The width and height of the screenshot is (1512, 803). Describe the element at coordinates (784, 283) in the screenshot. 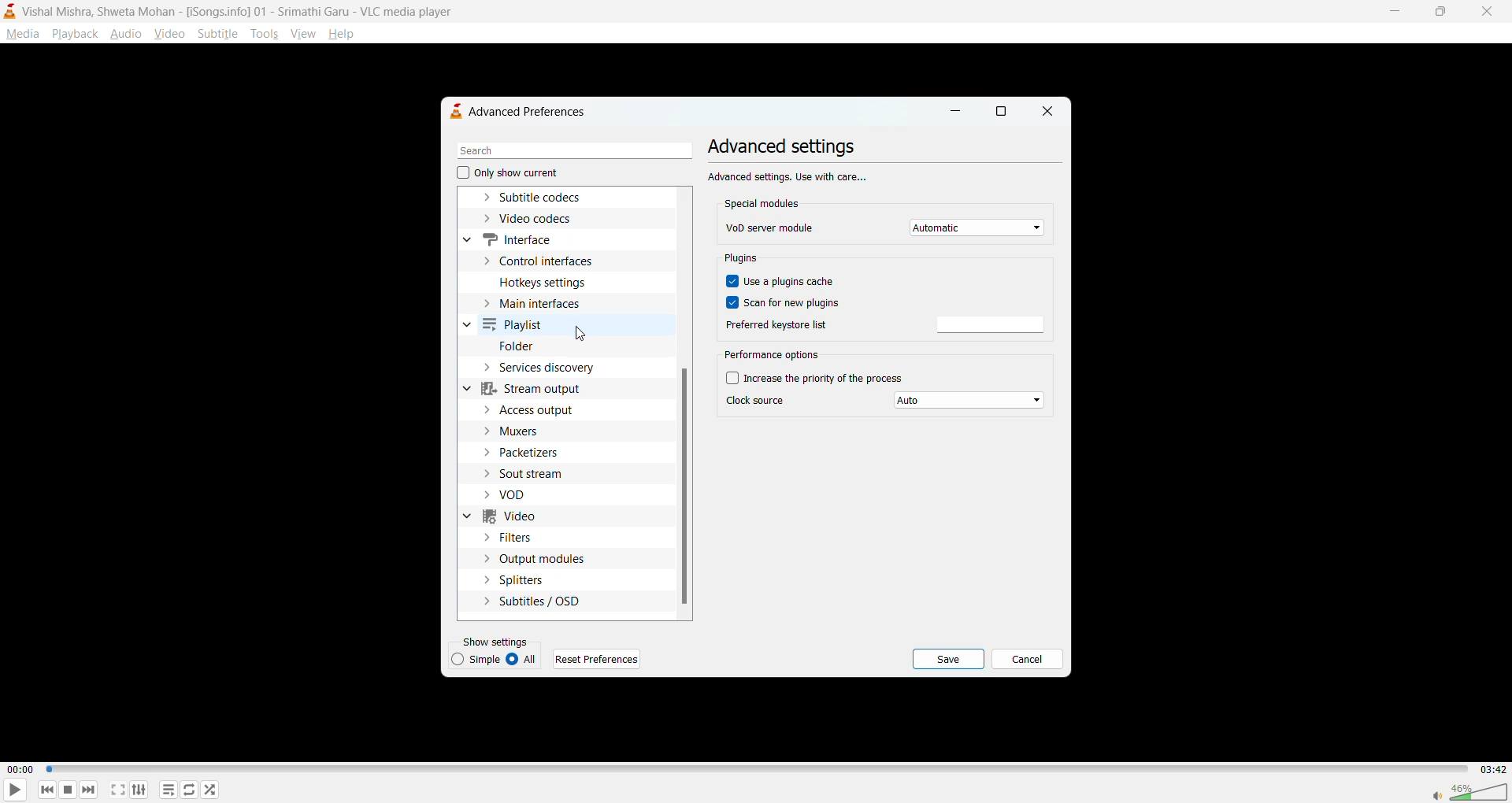

I see `use a plugins cache` at that location.